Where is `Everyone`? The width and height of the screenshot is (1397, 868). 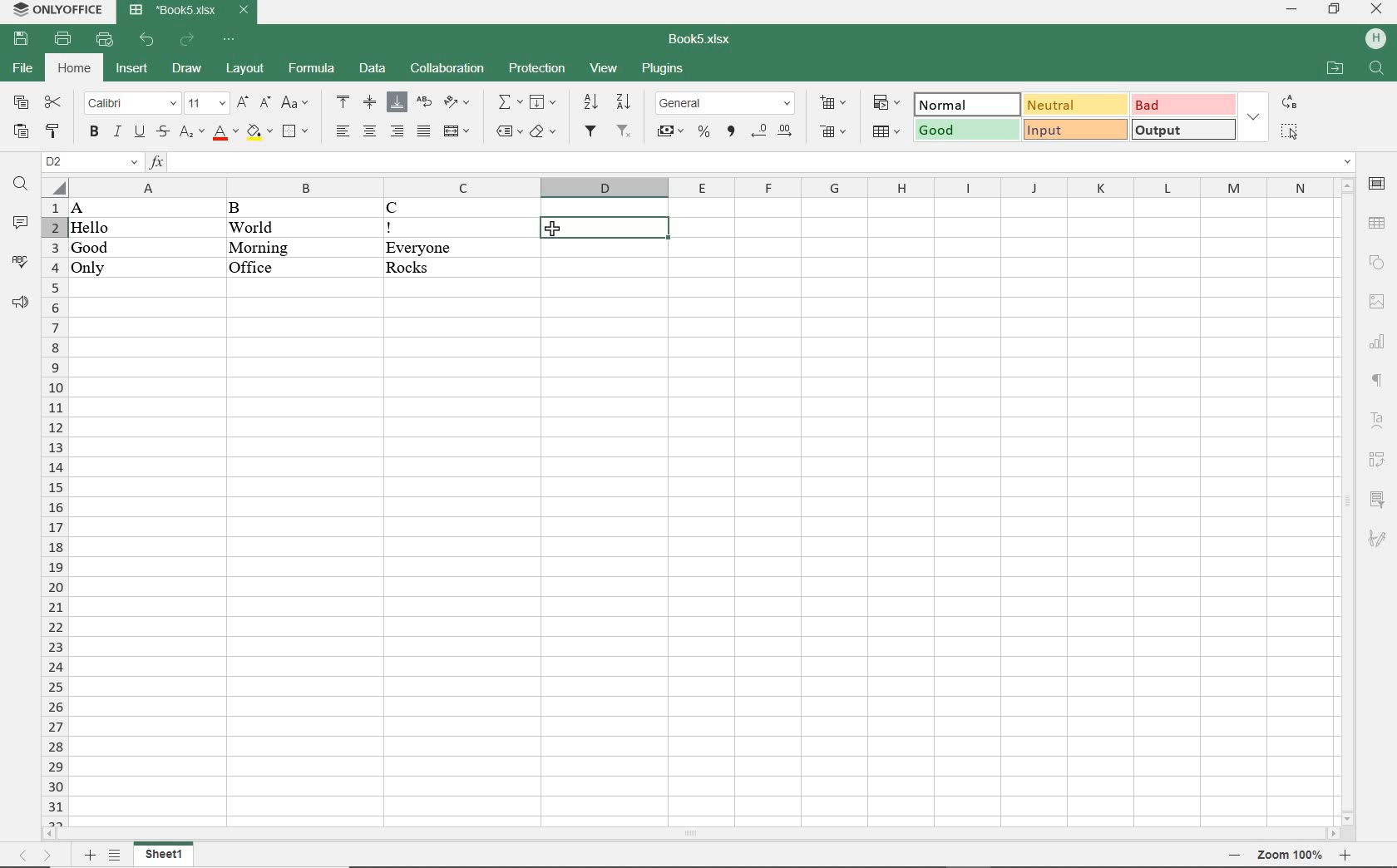
Everyone is located at coordinates (460, 248).